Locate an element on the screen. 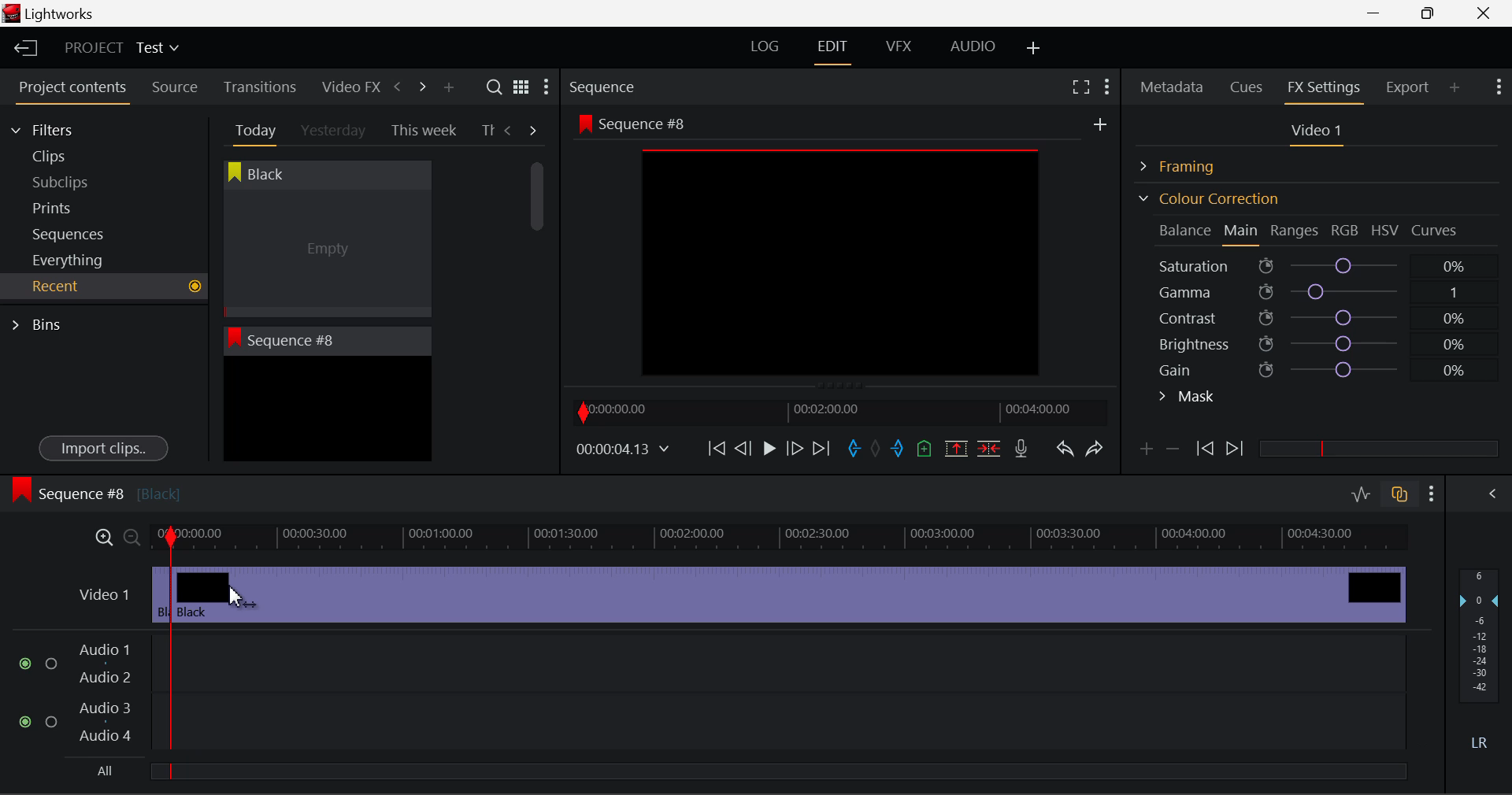 The image size is (1512, 795). Go Forward is located at coordinates (795, 448).